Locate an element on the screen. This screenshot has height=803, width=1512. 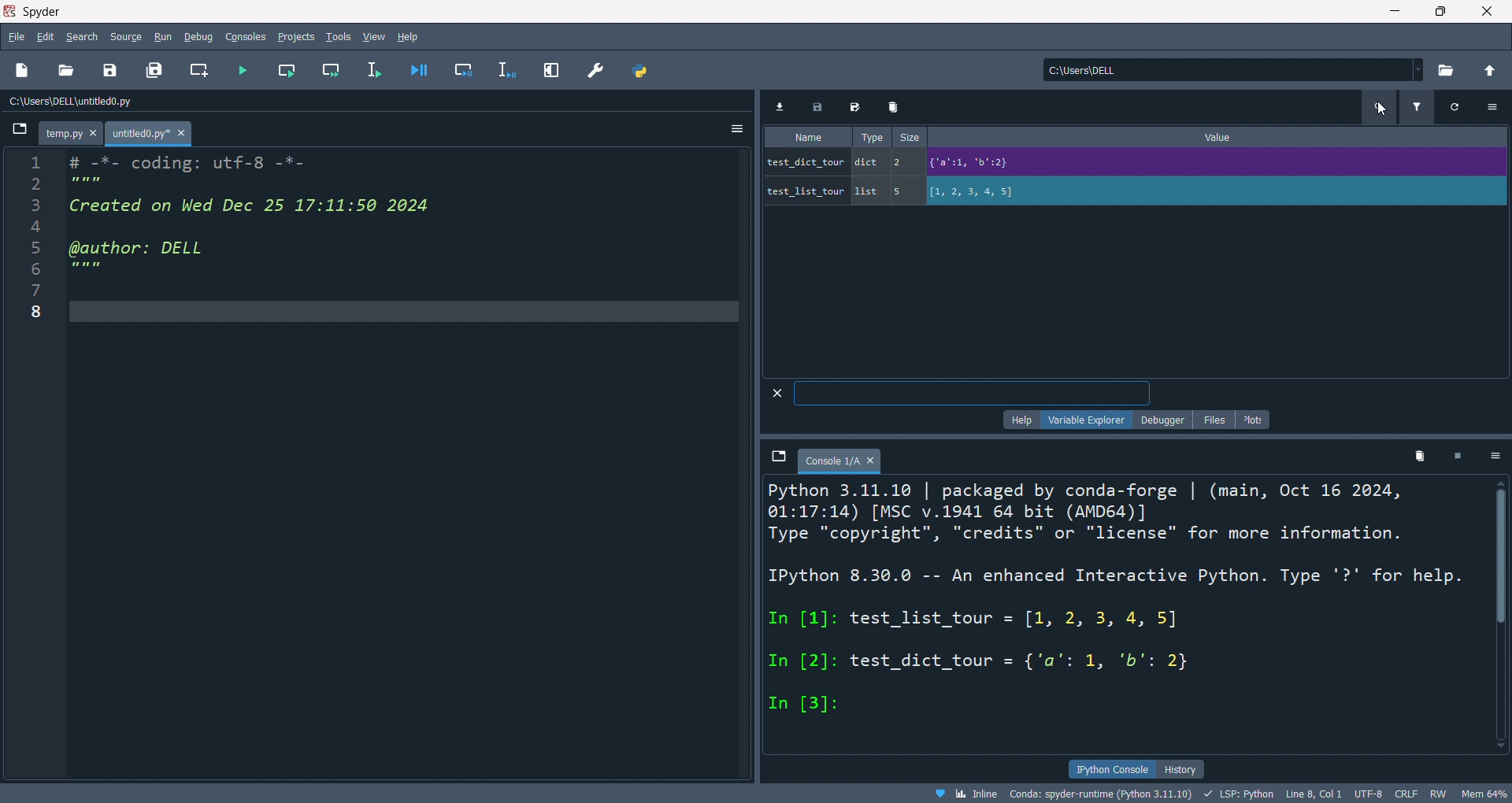
variable explorer is located at coordinates (1082, 421).